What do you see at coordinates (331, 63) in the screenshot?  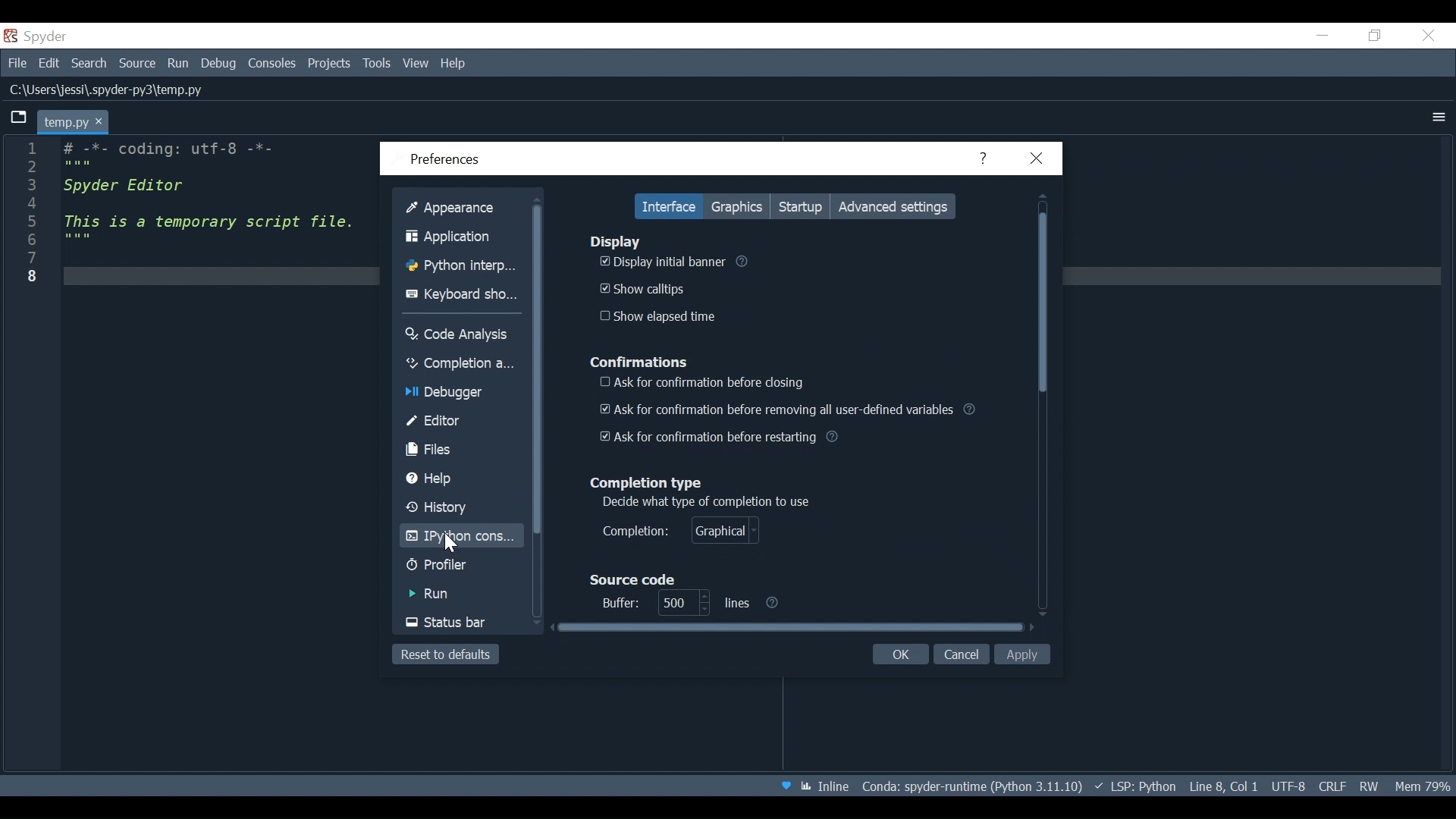 I see `Projects` at bounding box center [331, 63].